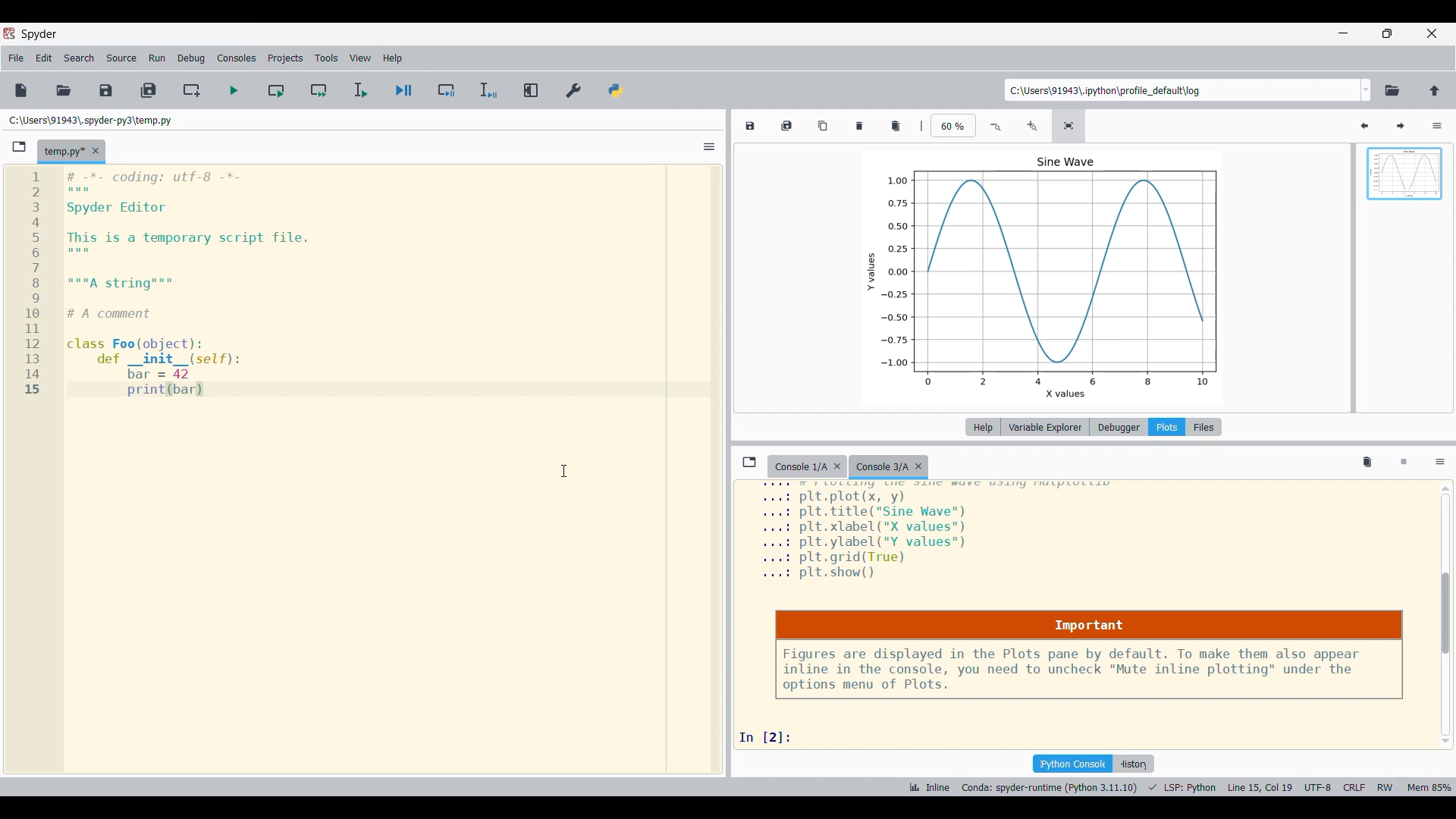 This screenshot has width=1456, height=819. What do you see at coordinates (326, 58) in the screenshot?
I see `Tools men` at bounding box center [326, 58].